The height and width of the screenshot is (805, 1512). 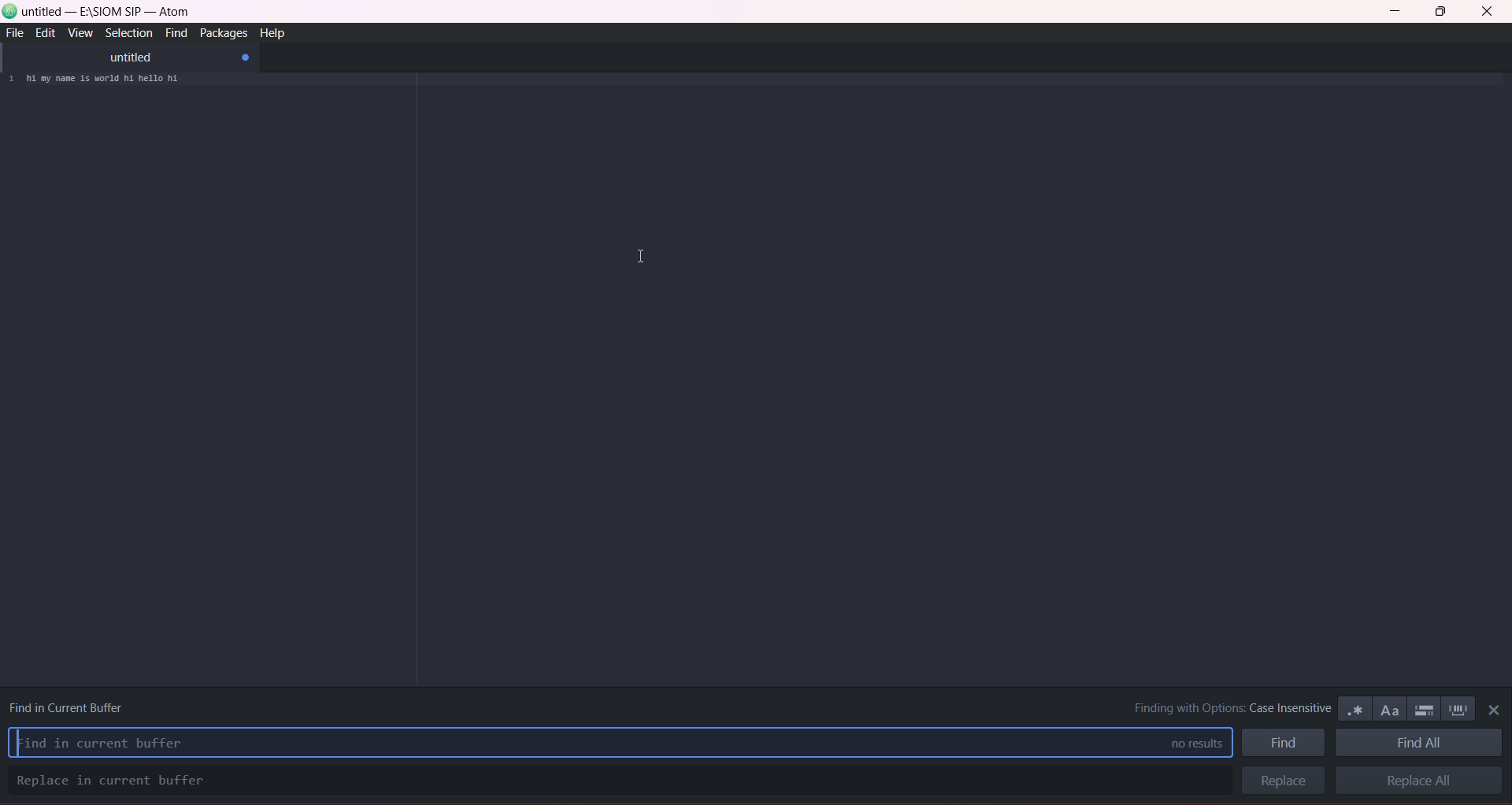 What do you see at coordinates (1487, 13) in the screenshot?
I see `close` at bounding box center [1487, 13].